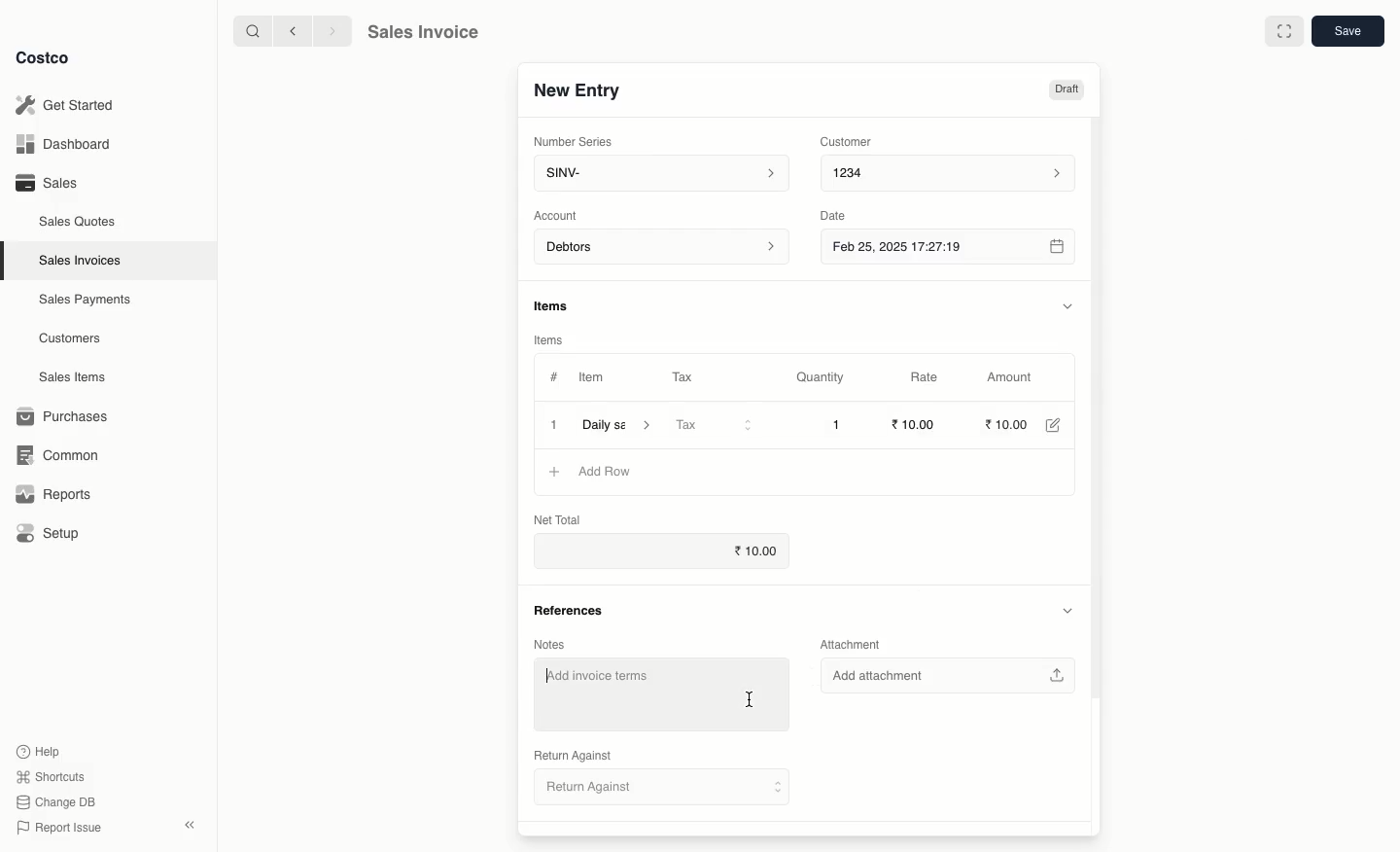 Image resolution: width=1400 pixels, height=852 pixels. Describe the element at coordinates (684, 375) in the screenshot. I see `Tax` at that location.